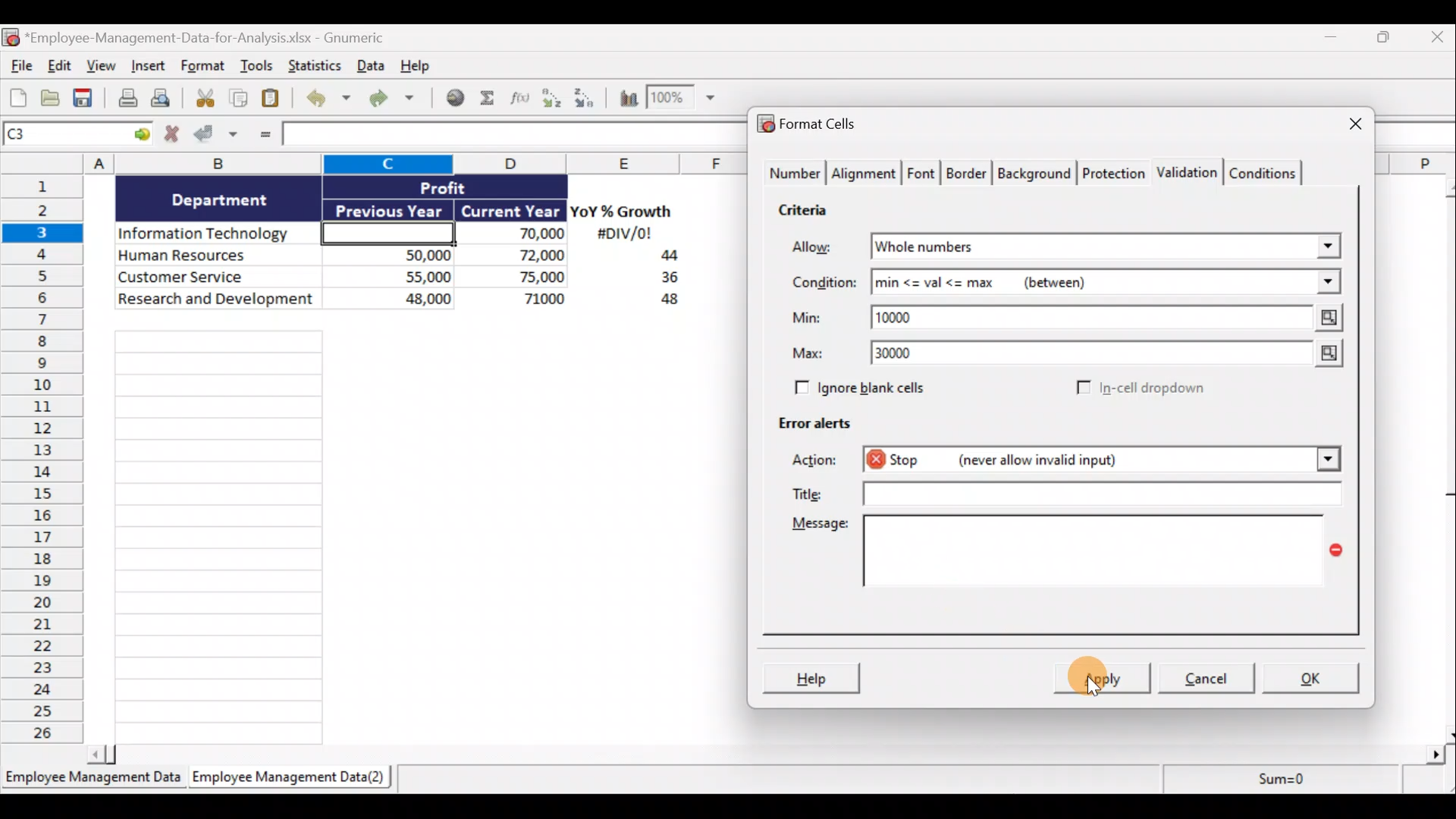 This screenshot has width=1456, height=819. What do you see at coordinates (1086, 285) in the screenshot?
I see `min <= val <= max (between)` at bounding box center [1086, 285].